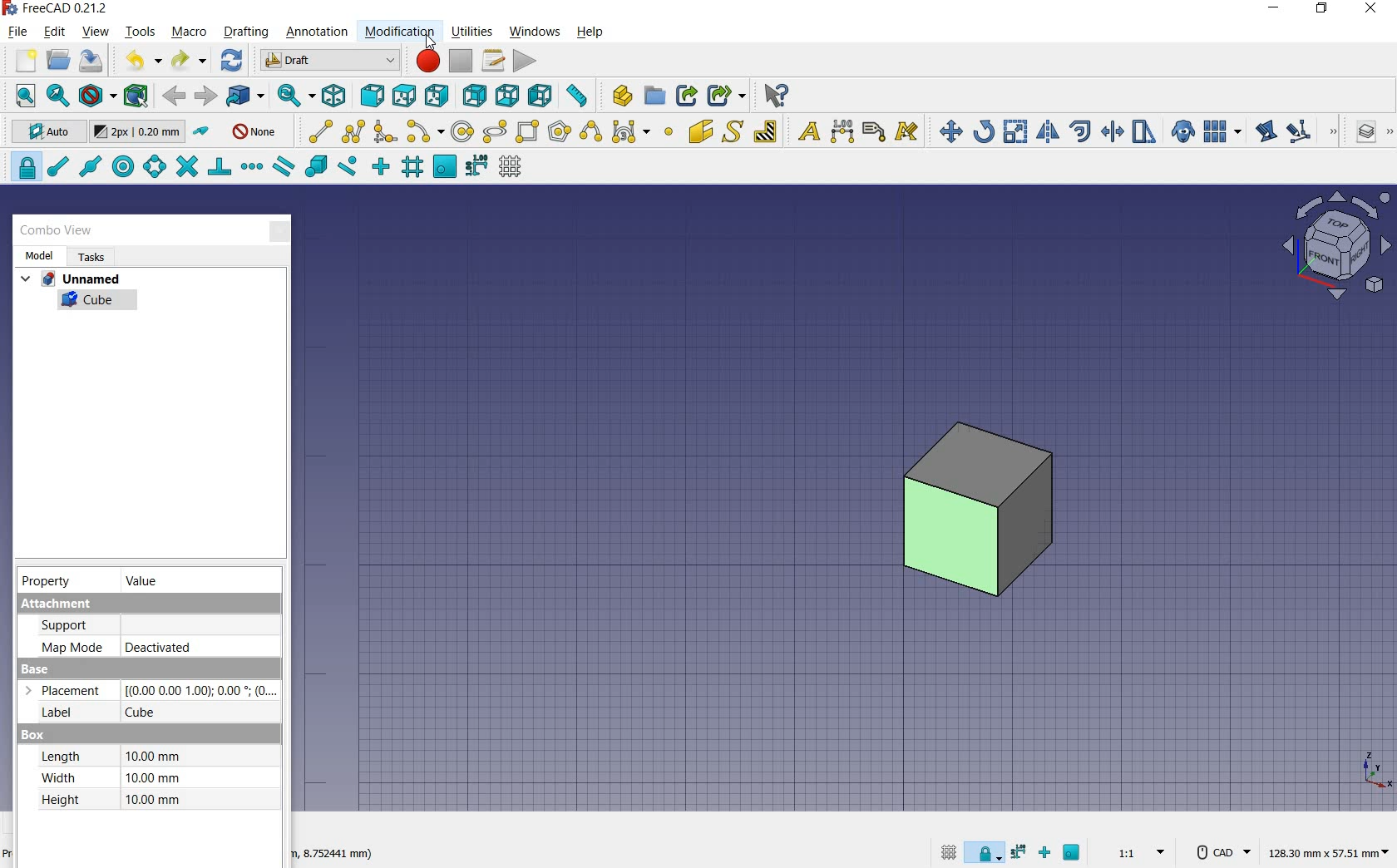  What do you see at coordinates (412, 168) in the screenshot?
I see `snap grid` at bounding box center [412, 168].